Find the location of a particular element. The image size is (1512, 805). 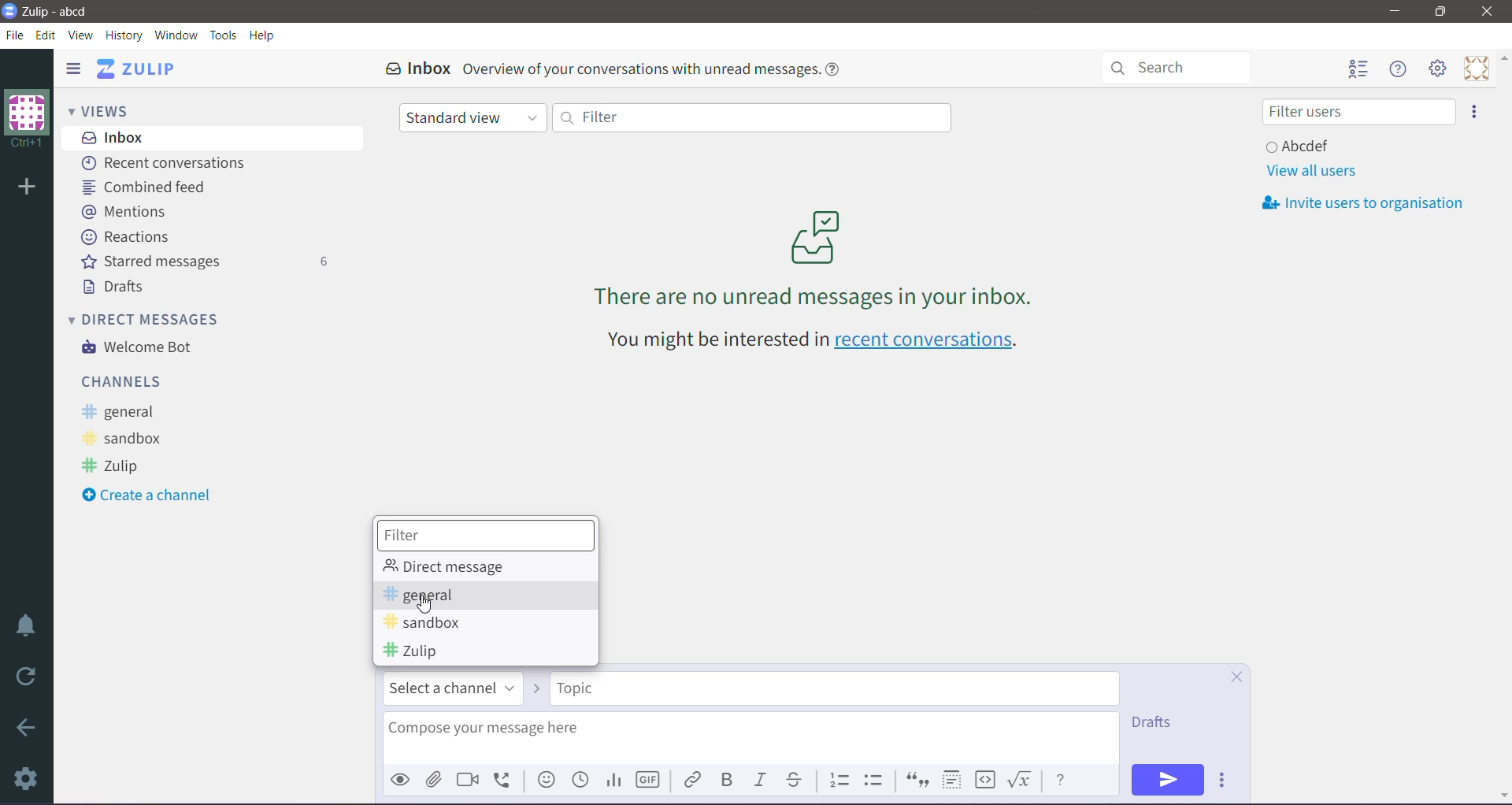

Drafts is located at coordinates (117, 287).